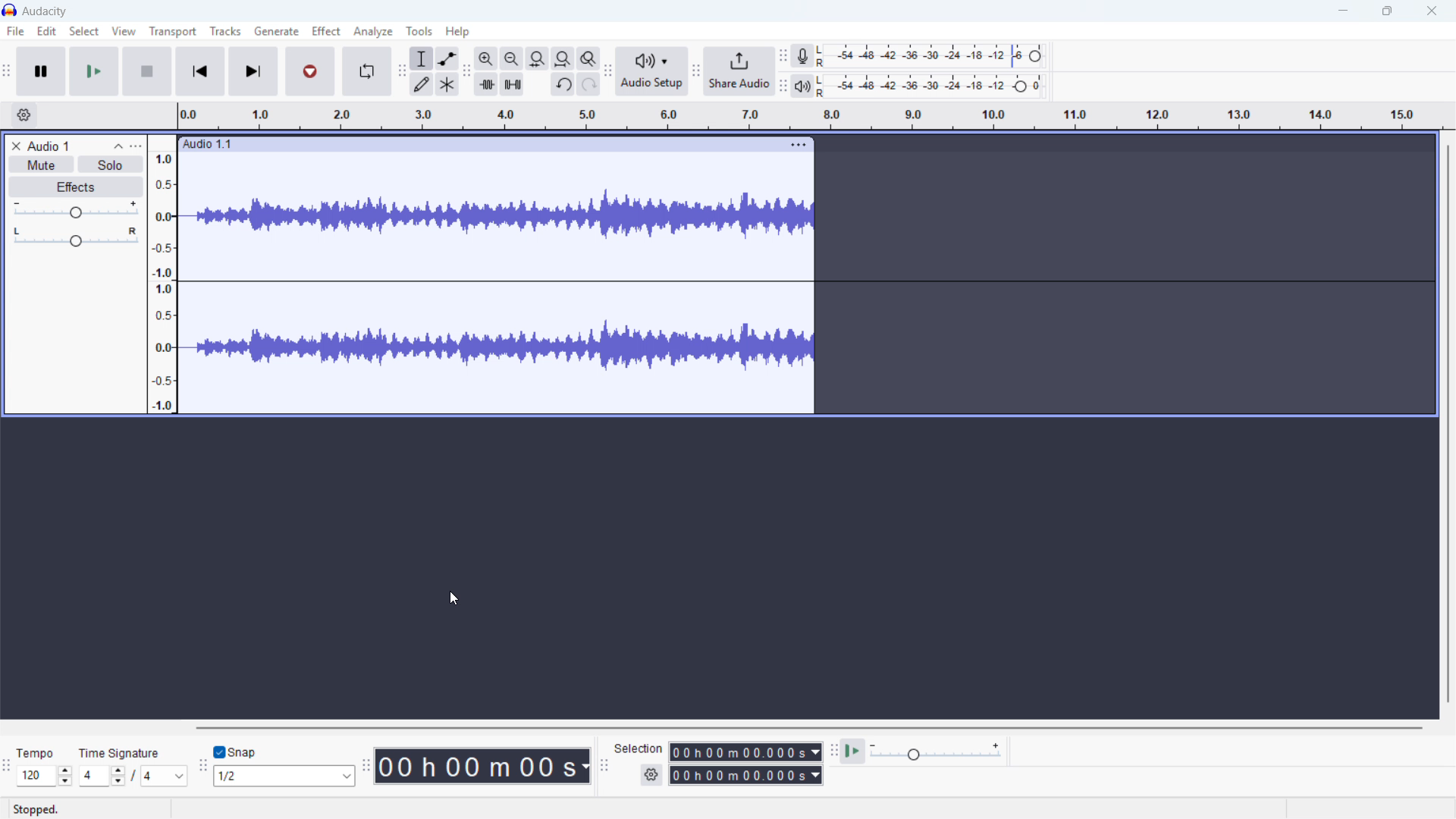 This screenshot has height=819, width=1456. I want to click on Snapping toolbar , so click(203, 765).